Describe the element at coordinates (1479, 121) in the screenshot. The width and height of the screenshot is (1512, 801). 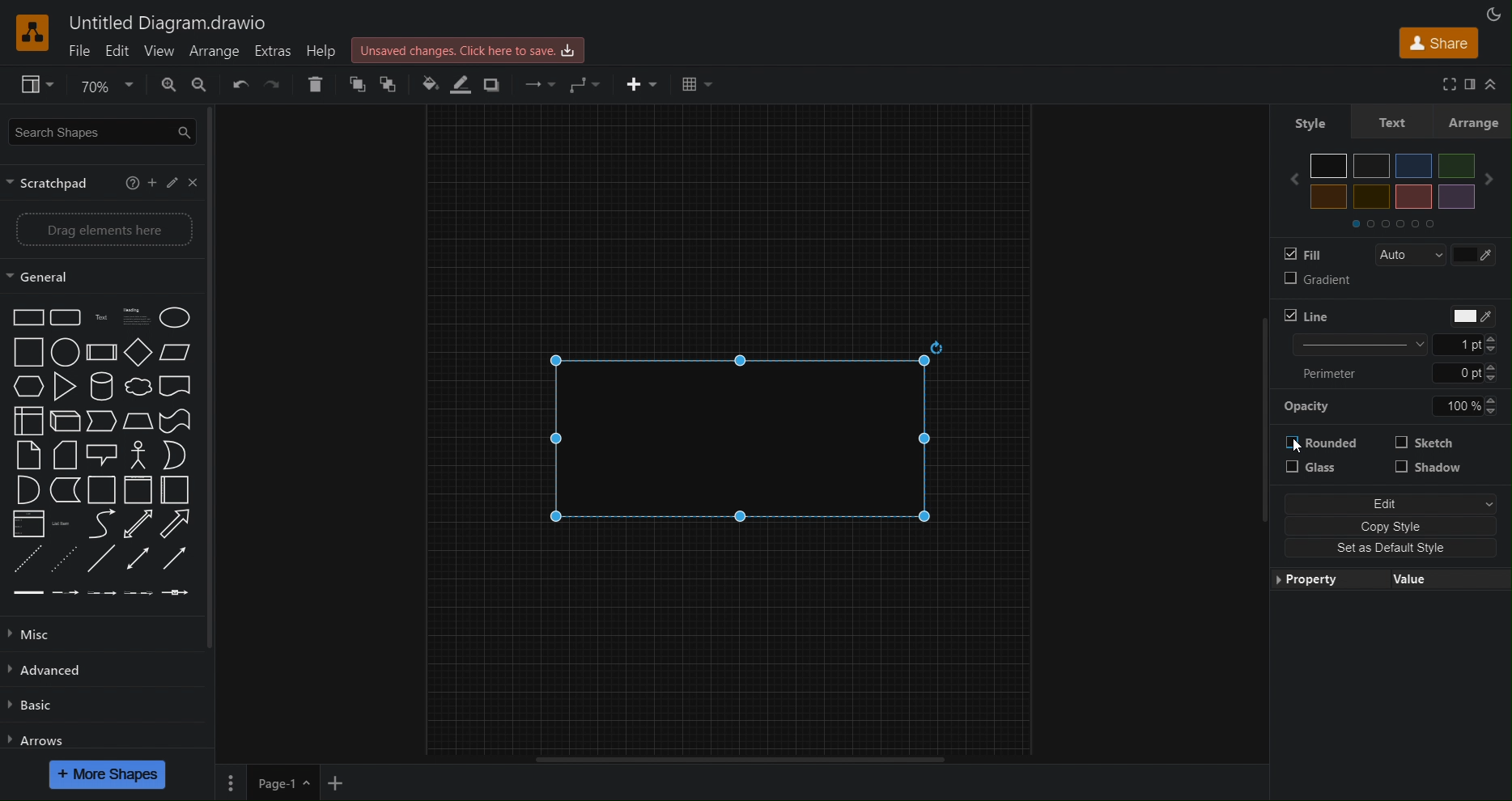
I see `Arrange` at that location.